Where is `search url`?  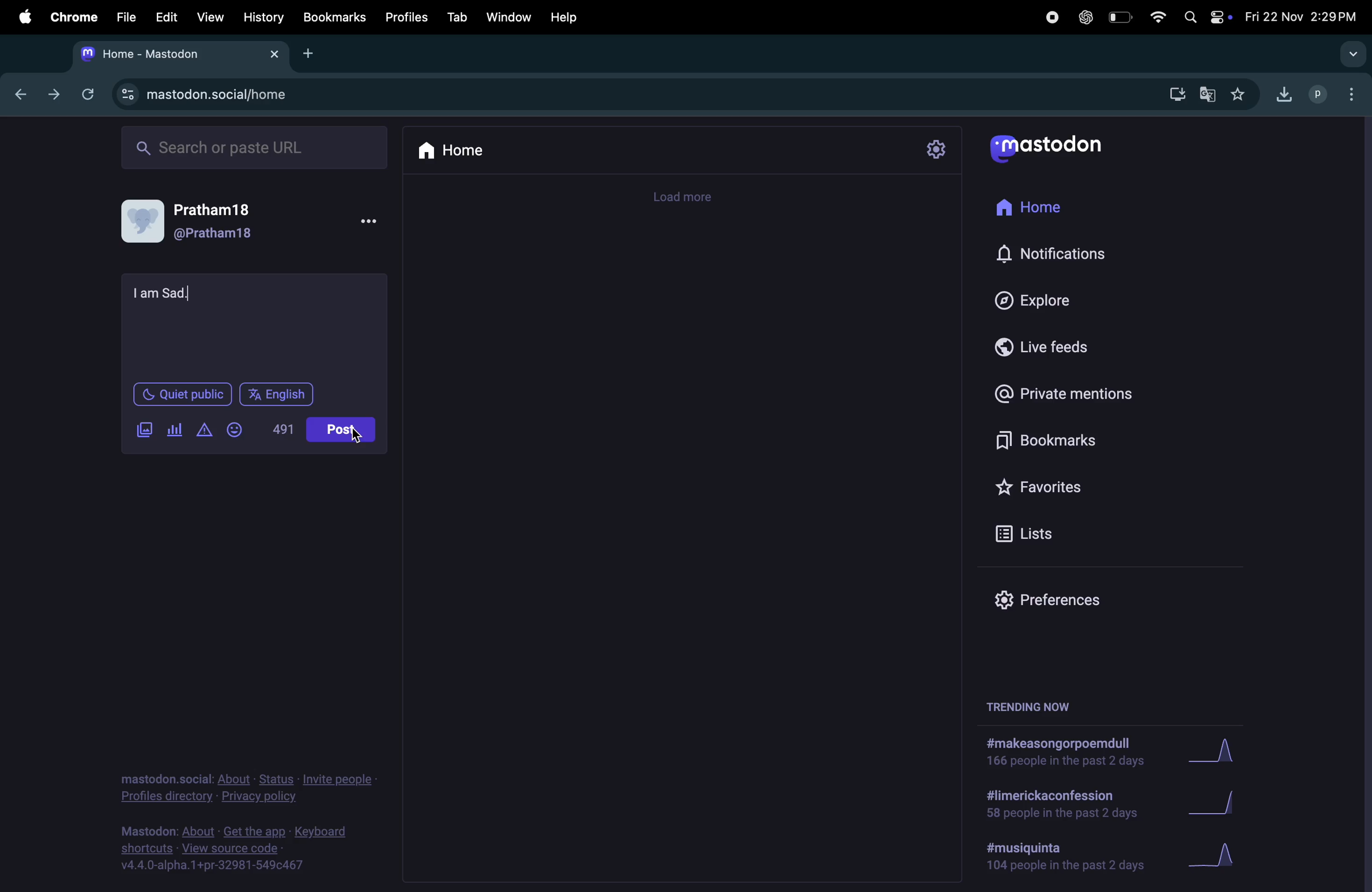
search url is located at coordinates (227, 92).